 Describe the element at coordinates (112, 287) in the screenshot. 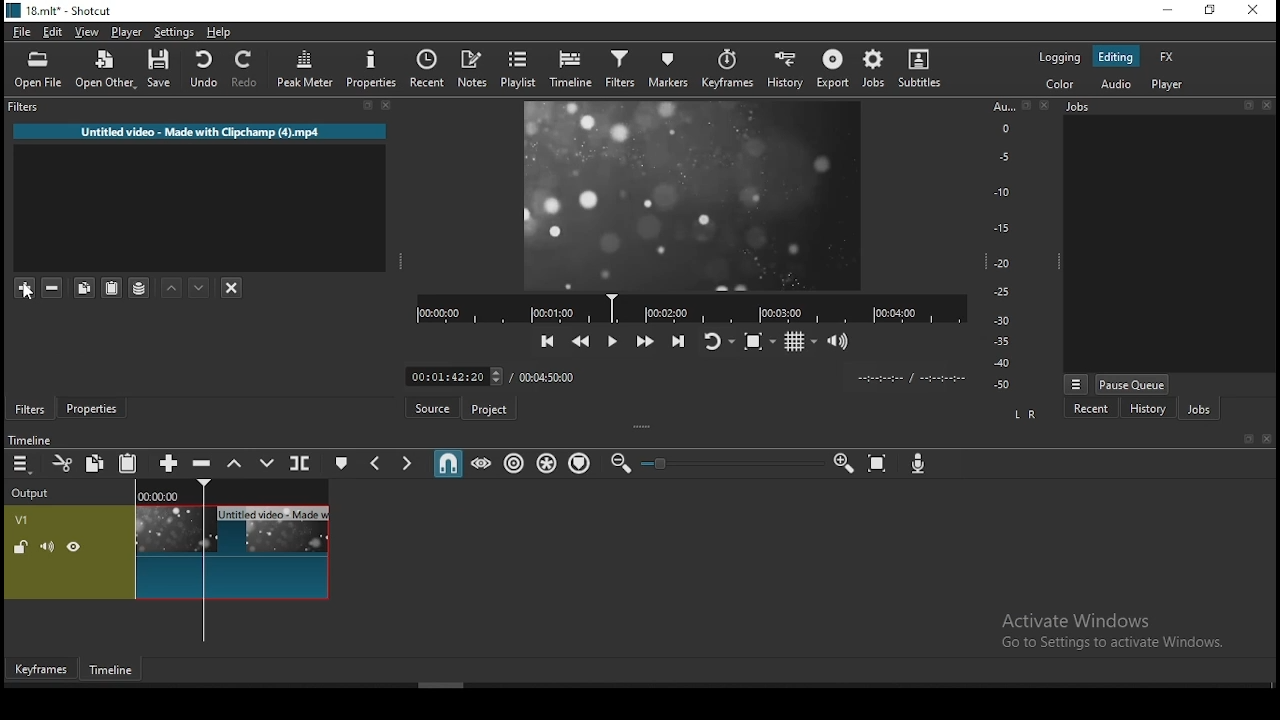

I see `paste` at that location.